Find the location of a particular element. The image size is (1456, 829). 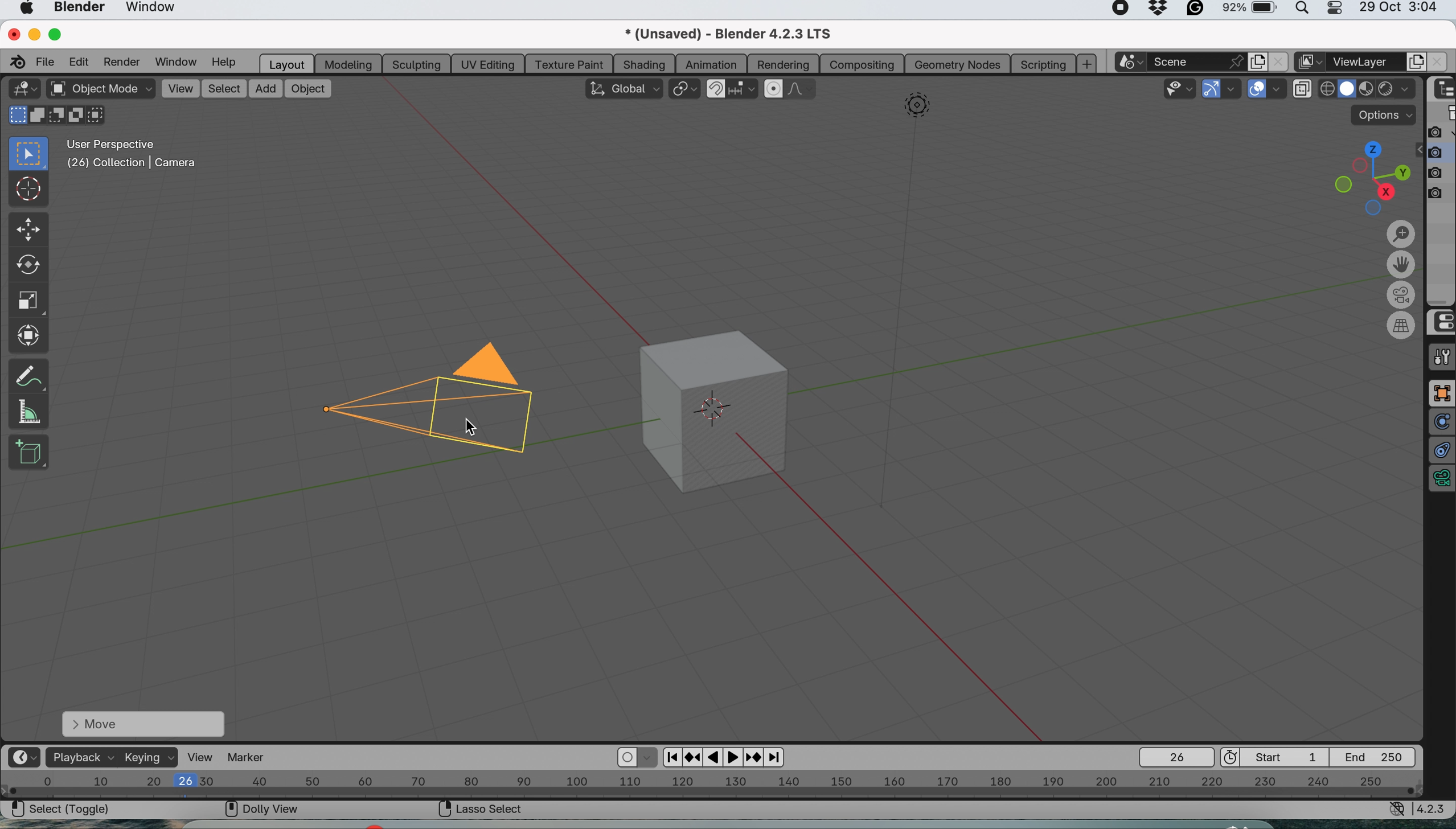

Camera selected is located at coordinates (443, 405).